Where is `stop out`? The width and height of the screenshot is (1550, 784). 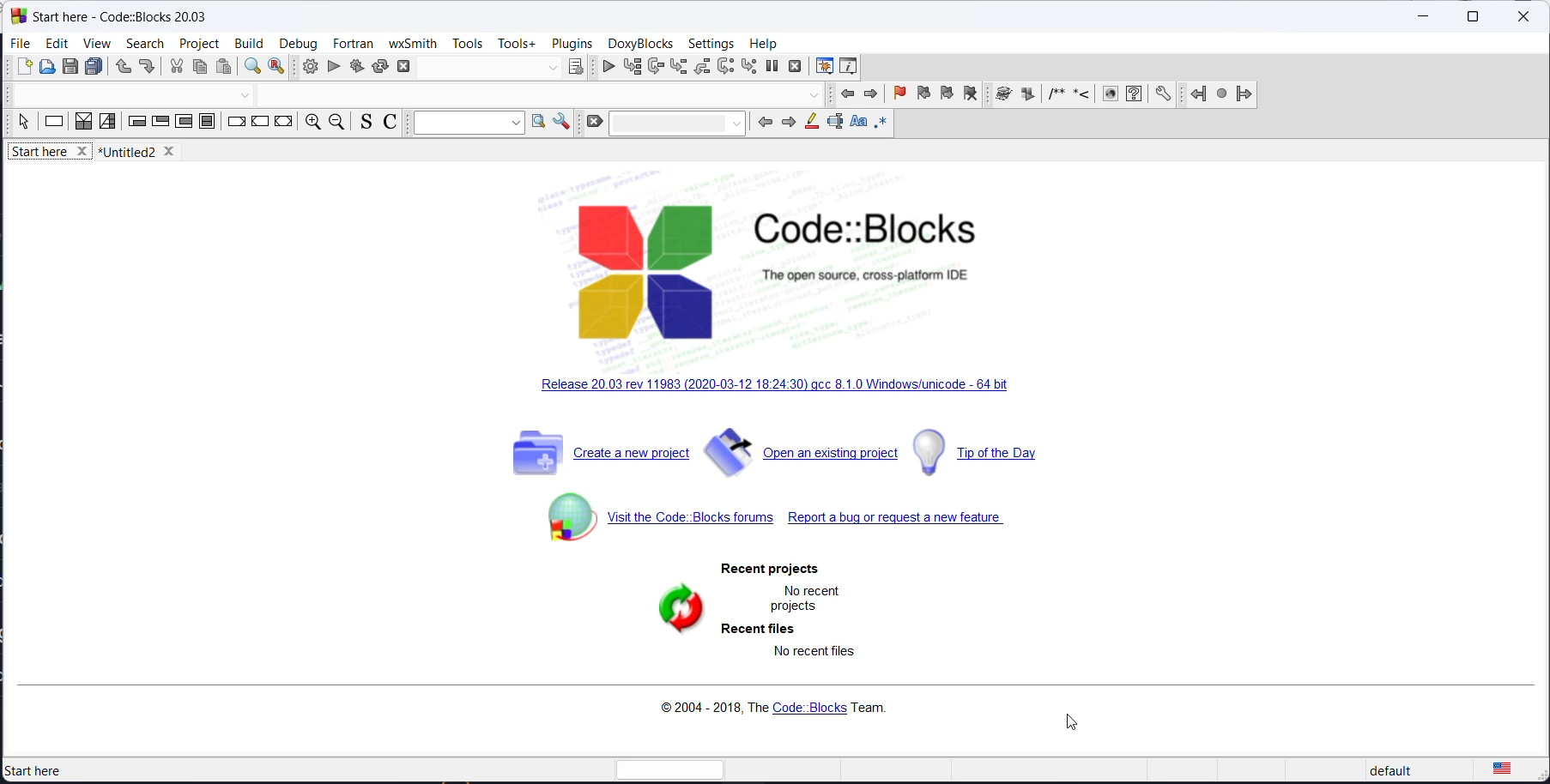 stop out is located at coordinates (704, 66).